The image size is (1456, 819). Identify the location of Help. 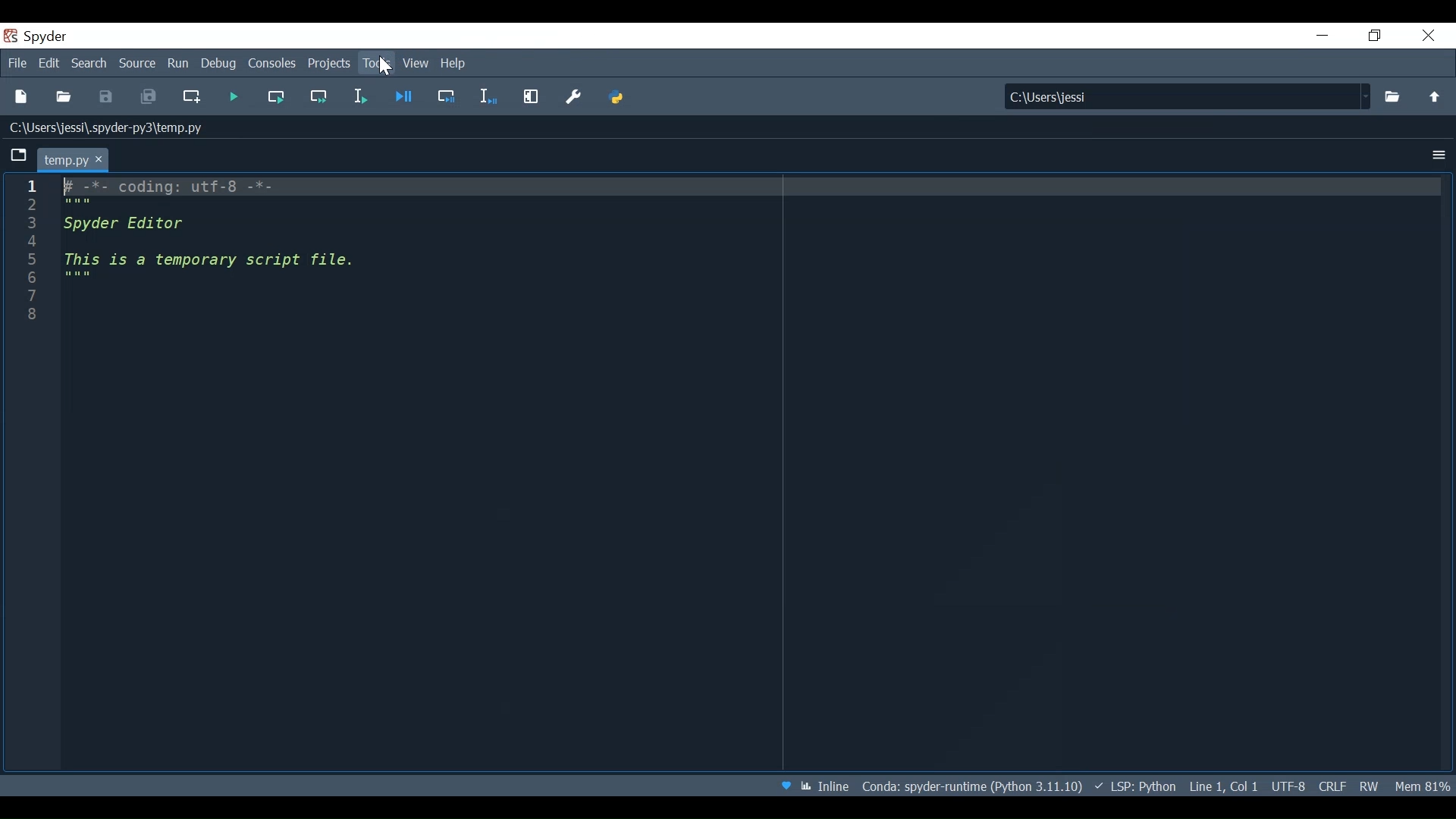
(452, 63).